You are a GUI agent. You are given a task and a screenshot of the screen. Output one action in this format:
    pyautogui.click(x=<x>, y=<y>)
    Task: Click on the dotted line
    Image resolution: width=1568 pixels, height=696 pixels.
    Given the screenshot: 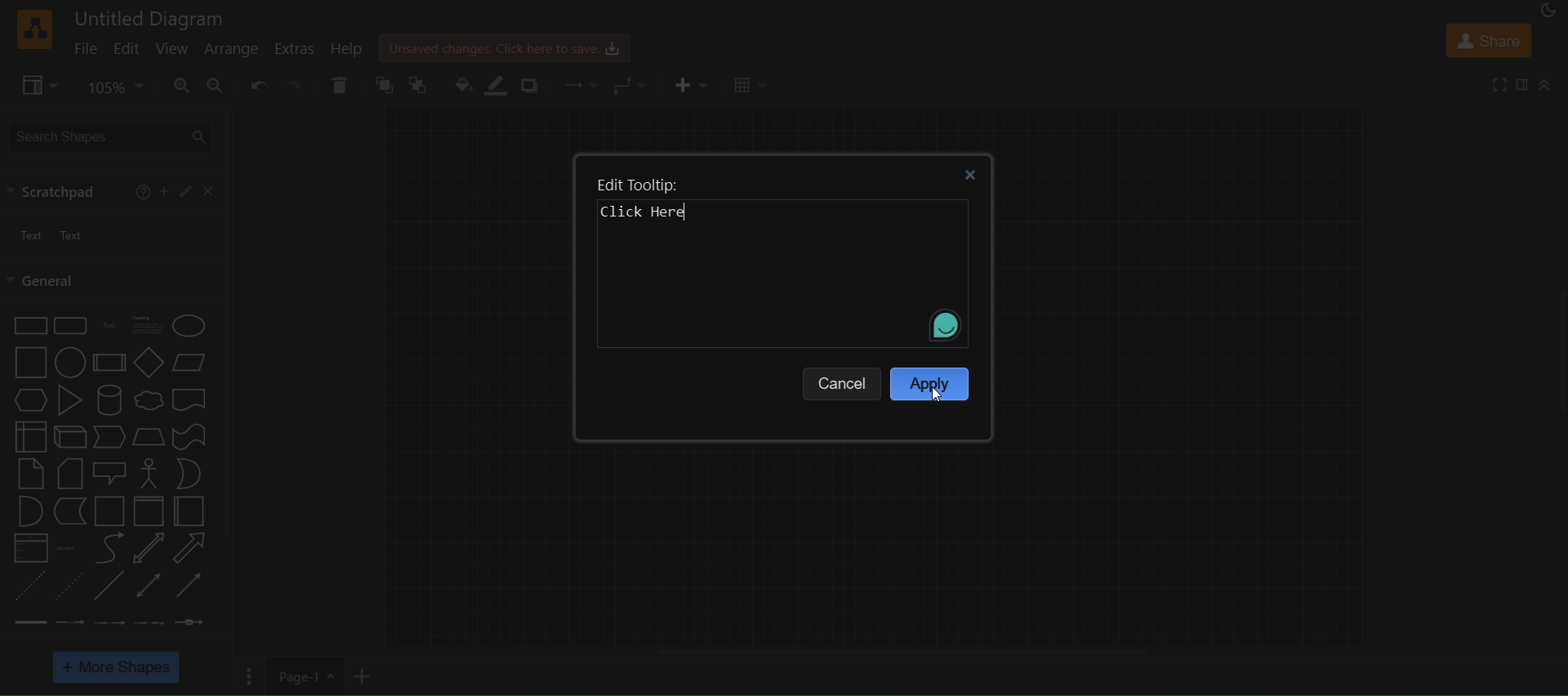 What is the action you would take?
    pyautogui.click(x=71, y=587)
    